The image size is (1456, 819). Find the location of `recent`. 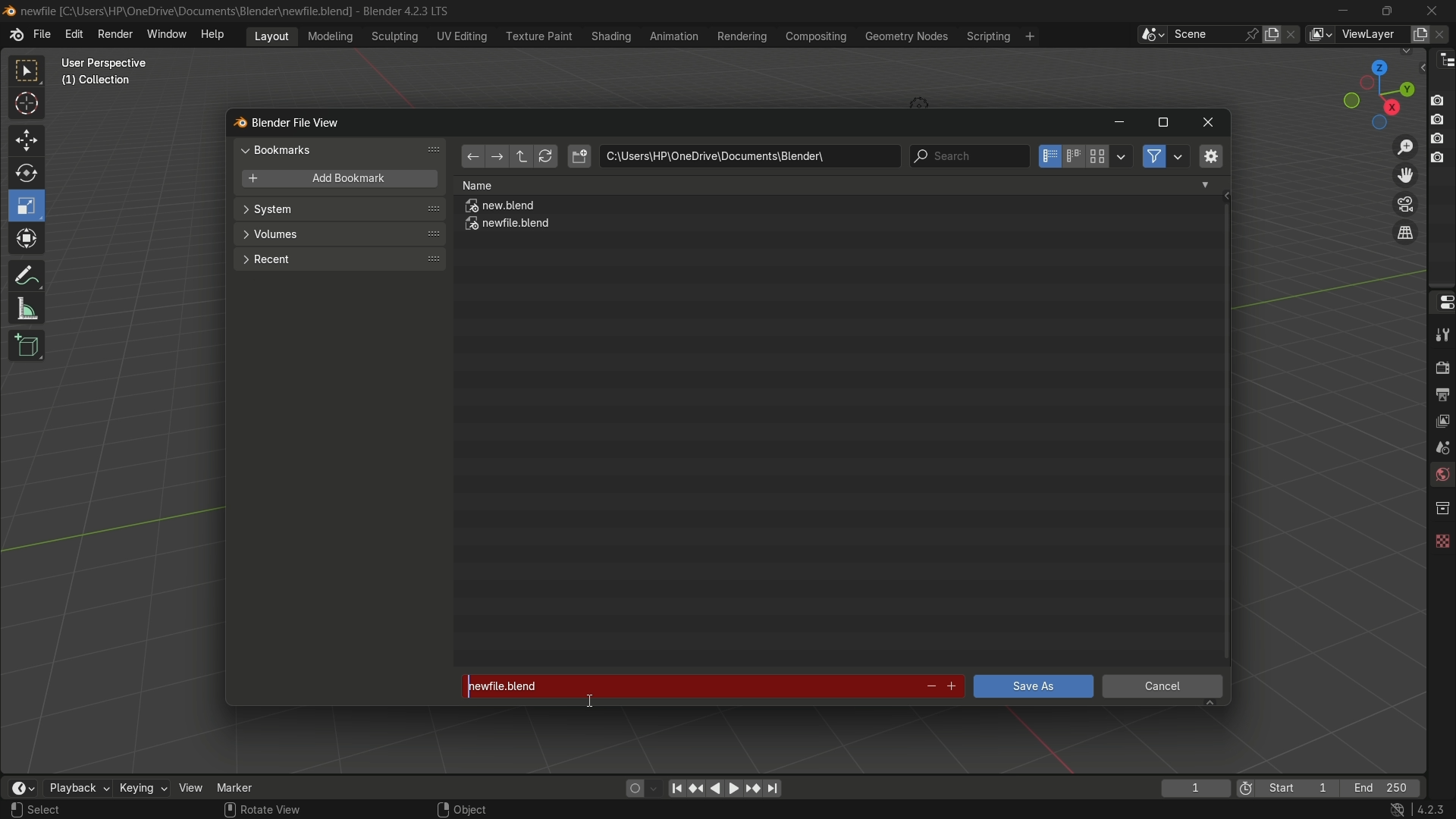

recent is located at coordinates (337, 258).